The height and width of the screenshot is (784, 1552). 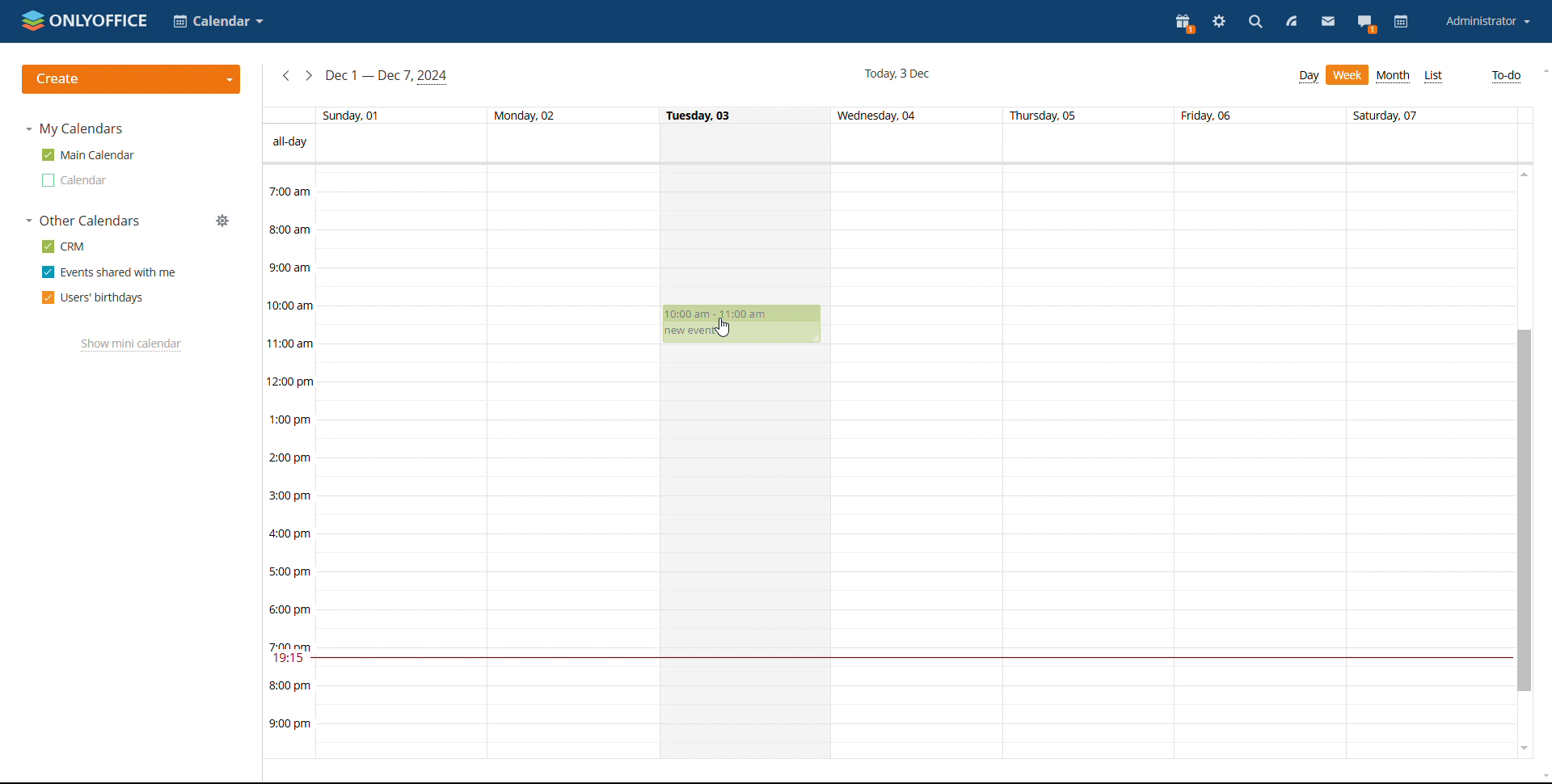 What do you see at coordinates (1390, 114) in the screenshot?
I see `Saturday, 07` at bounding box center [1390, 114].